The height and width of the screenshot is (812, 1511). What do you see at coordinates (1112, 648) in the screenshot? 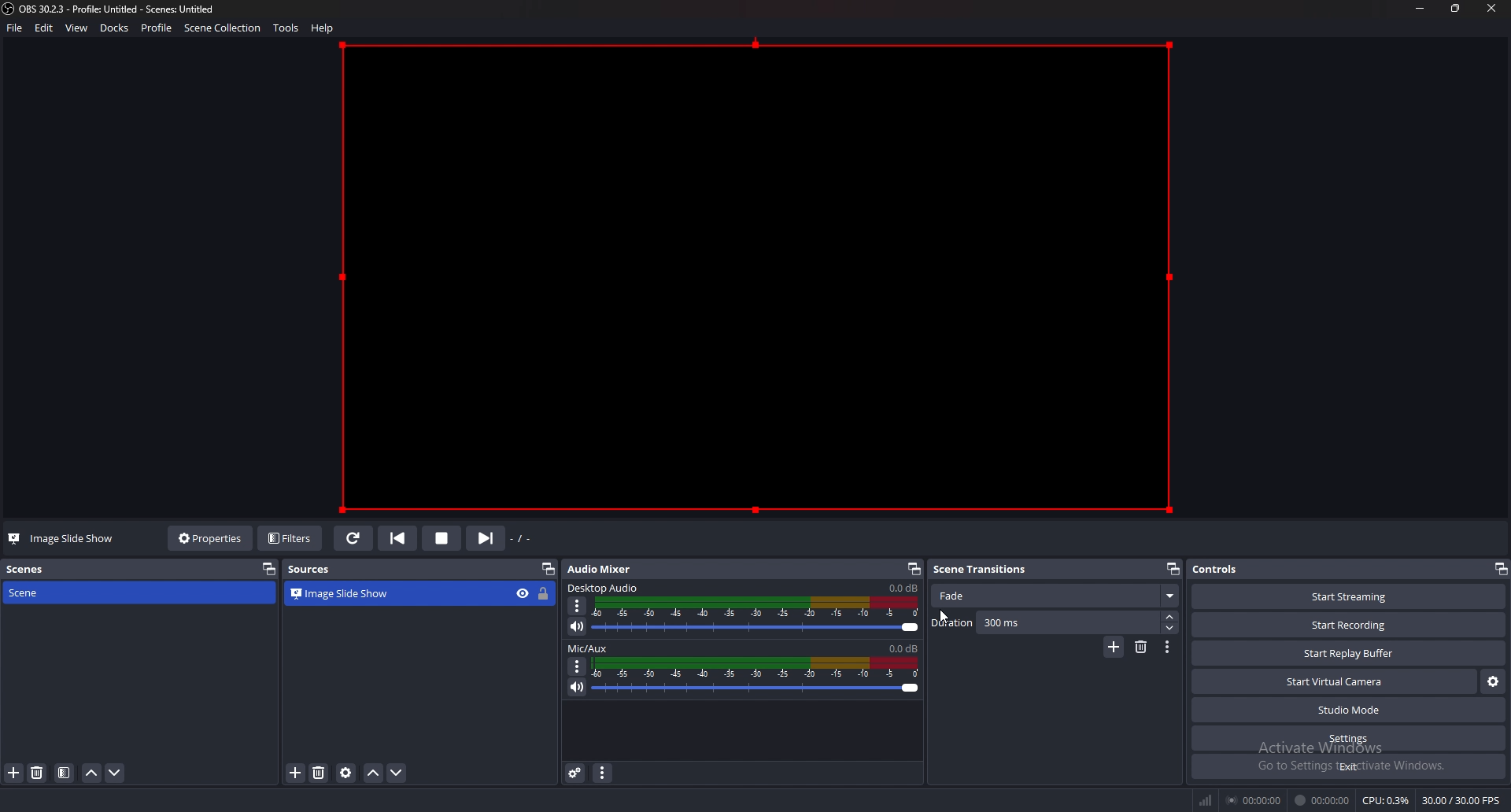
I see `add transition` at bounding box center [1112, 648].